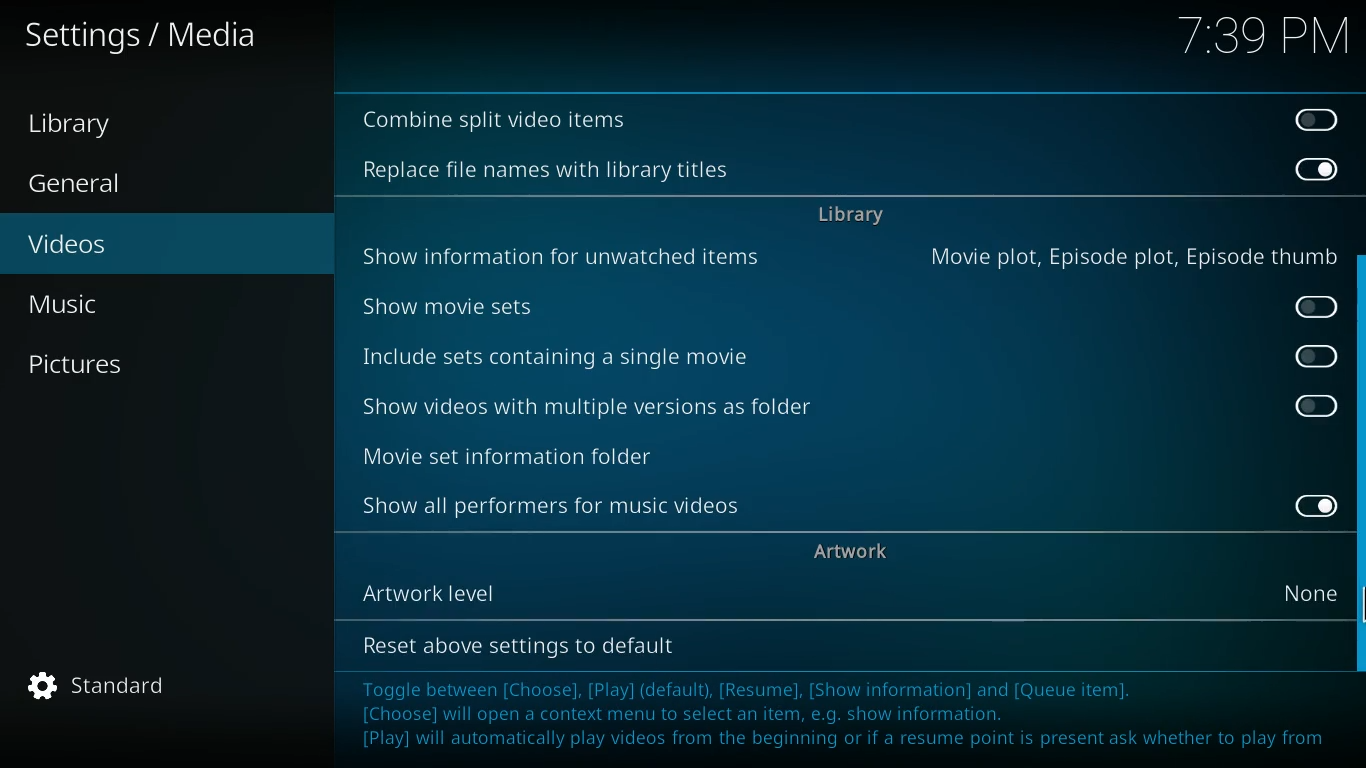  I want to click on pictures, so click(149, 365).